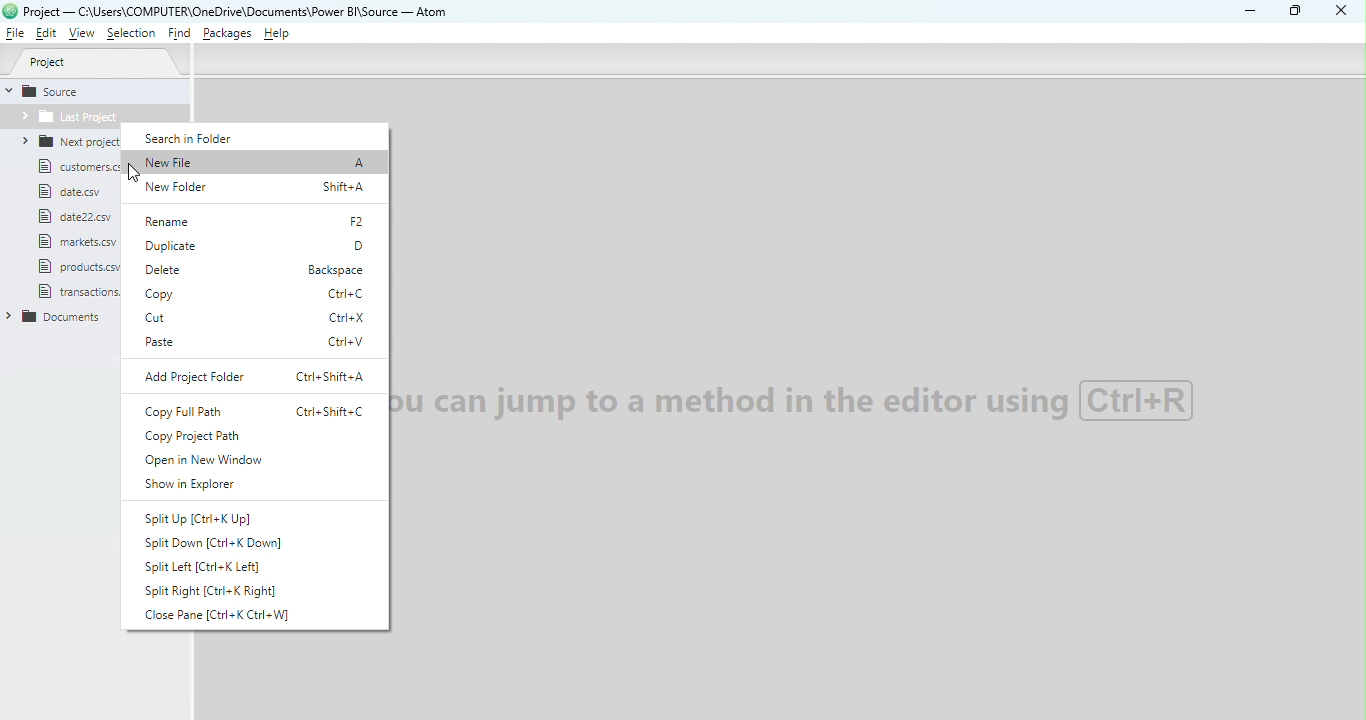 The image size is (1366, 720). I want to click on Copy project path, so click(233, 439).